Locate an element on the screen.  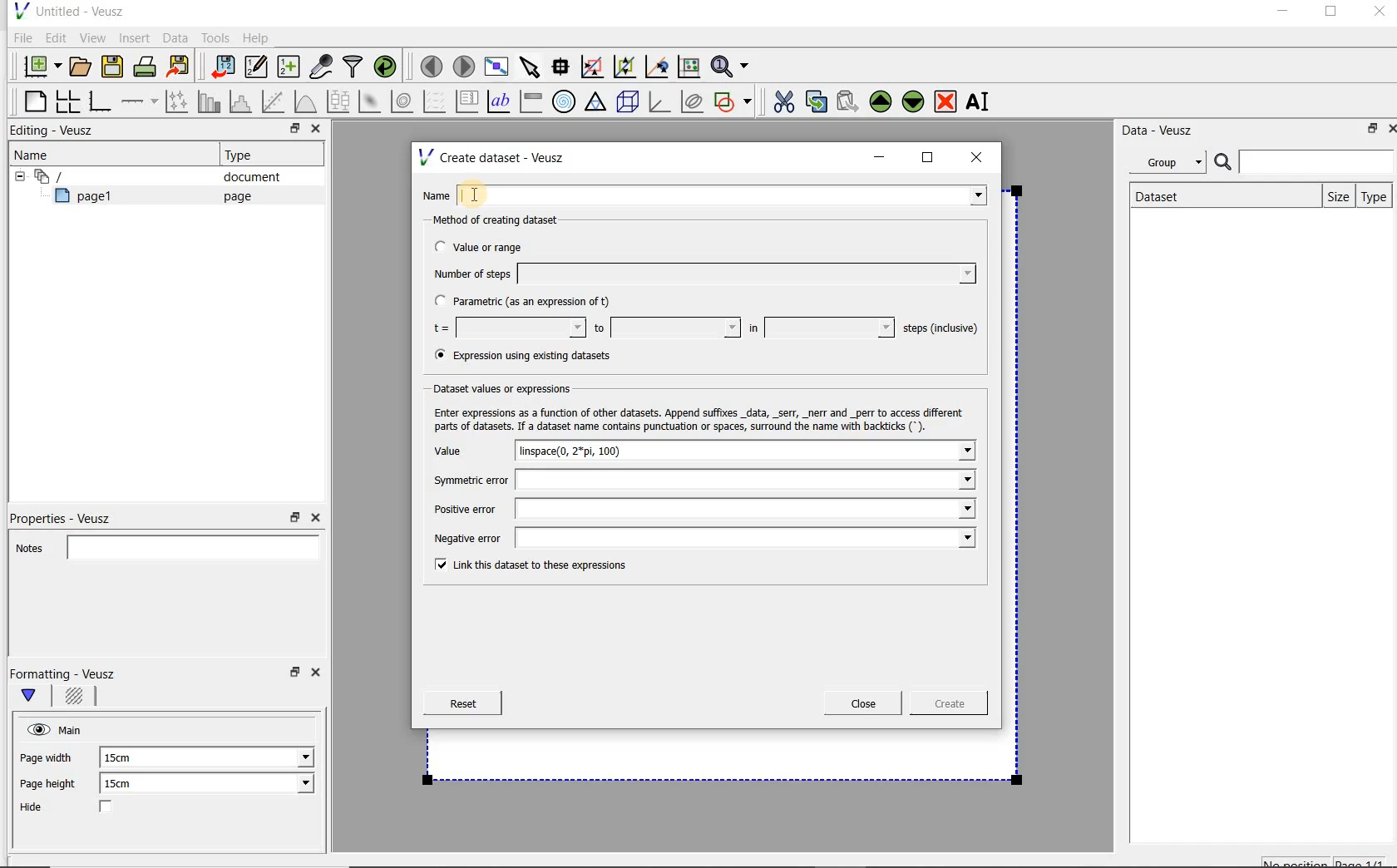
Help is located at coordinates (258, 37).